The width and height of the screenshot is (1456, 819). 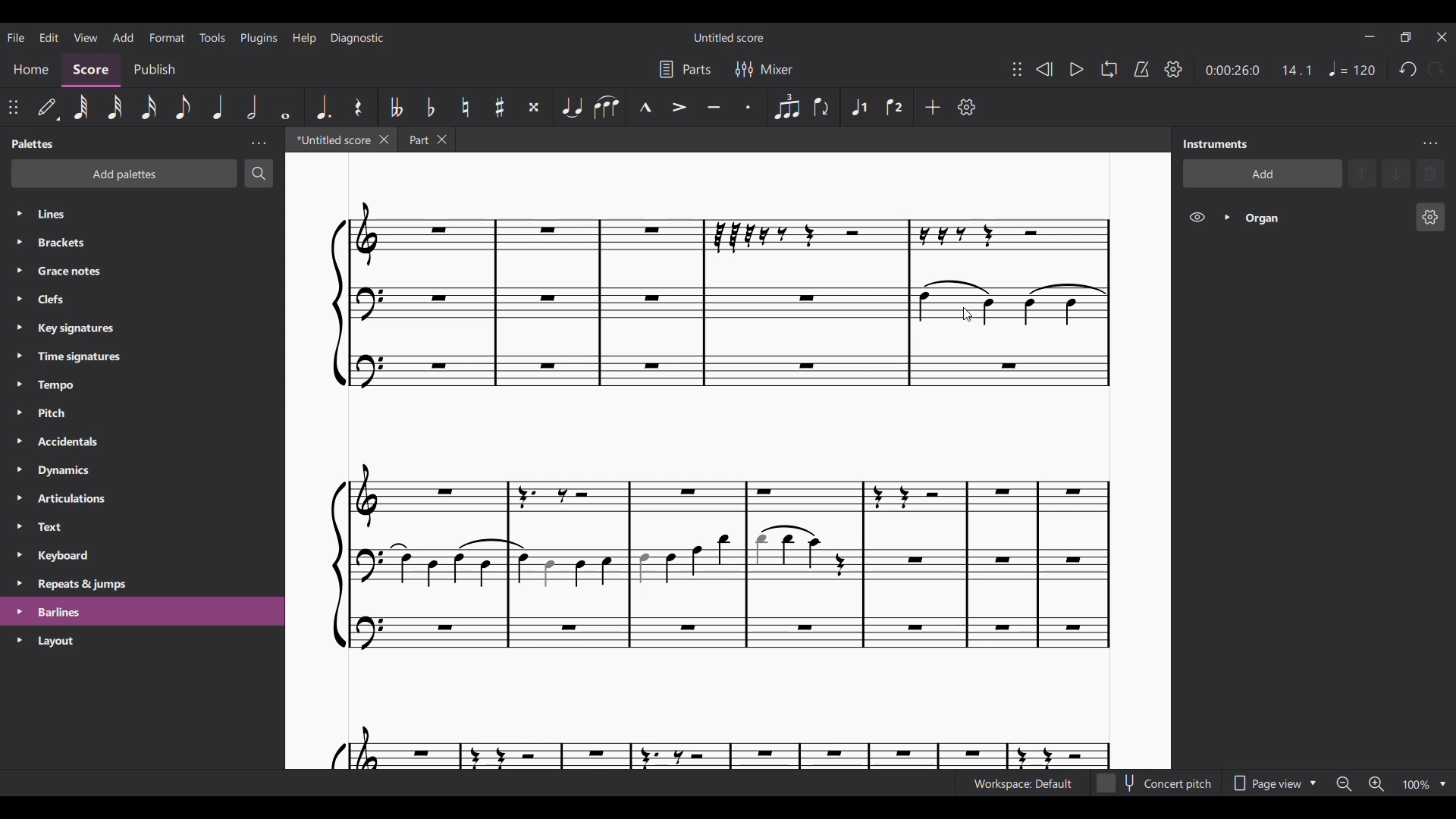 I want to click on Organ settings, so click(x=1430, y=217).